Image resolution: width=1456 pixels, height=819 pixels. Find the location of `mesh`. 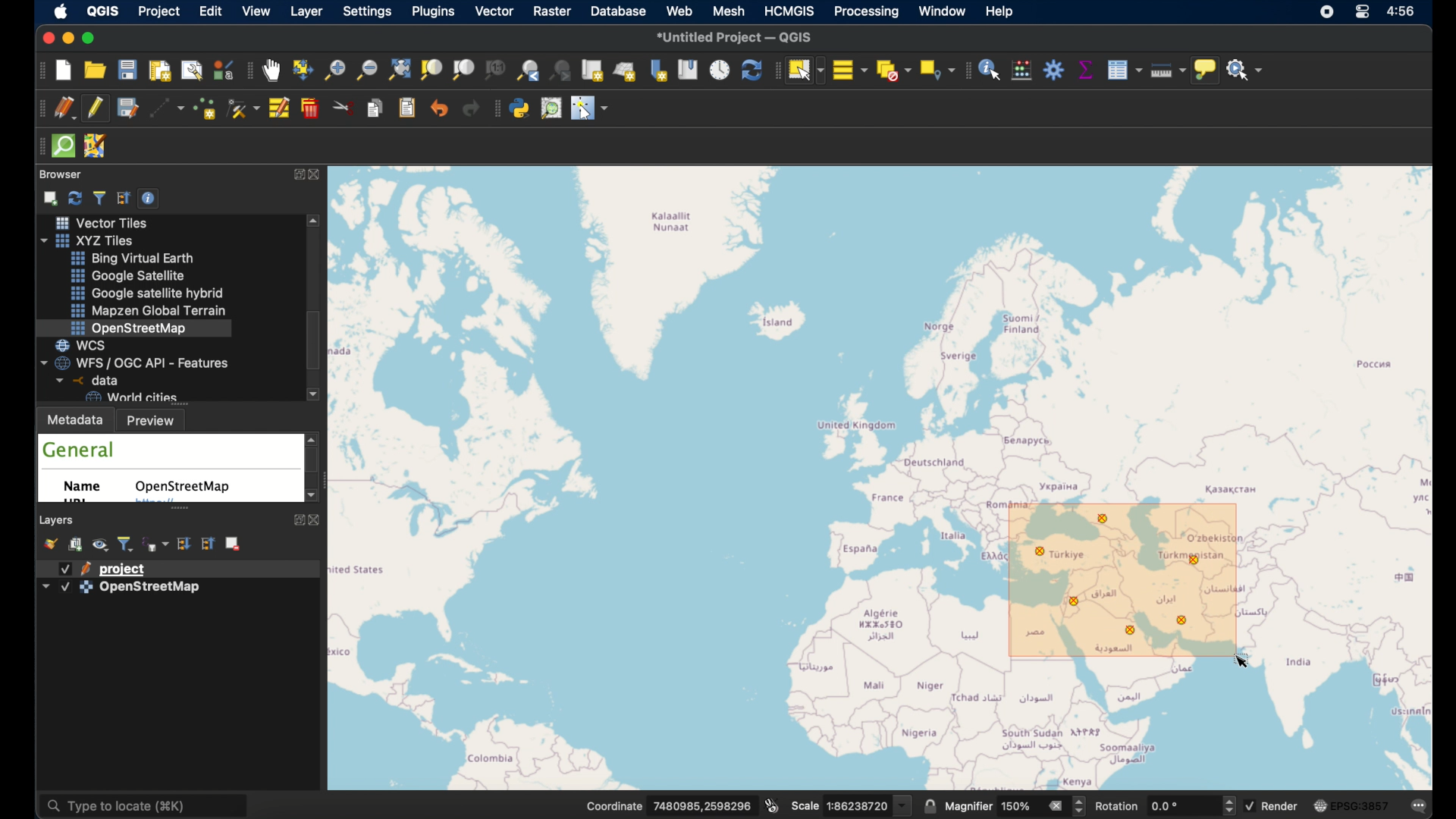

mesh is located at coordinates (727, 10).